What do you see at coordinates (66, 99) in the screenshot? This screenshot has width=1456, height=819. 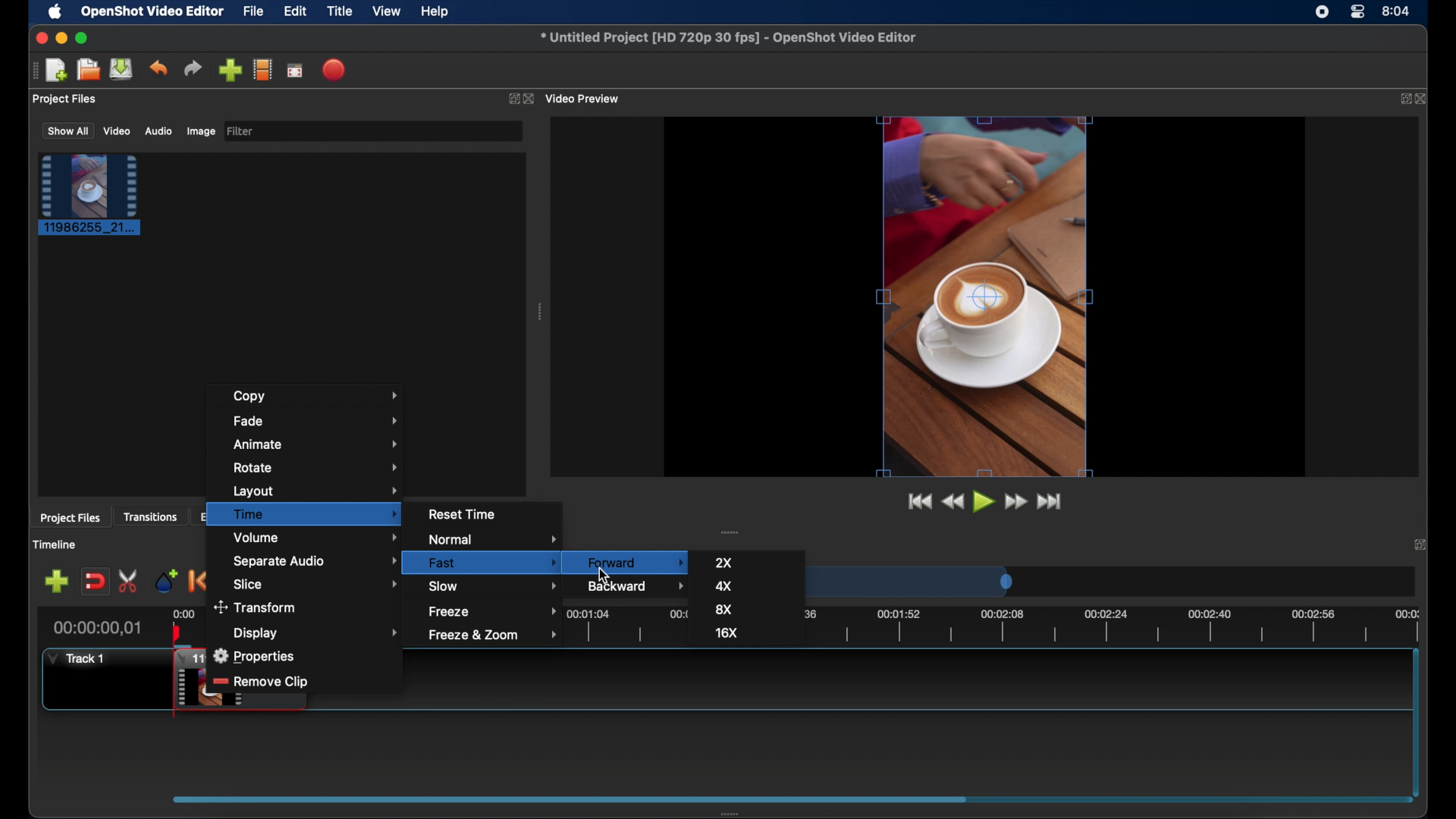 I see `project files` at bounding box center [66, 99].